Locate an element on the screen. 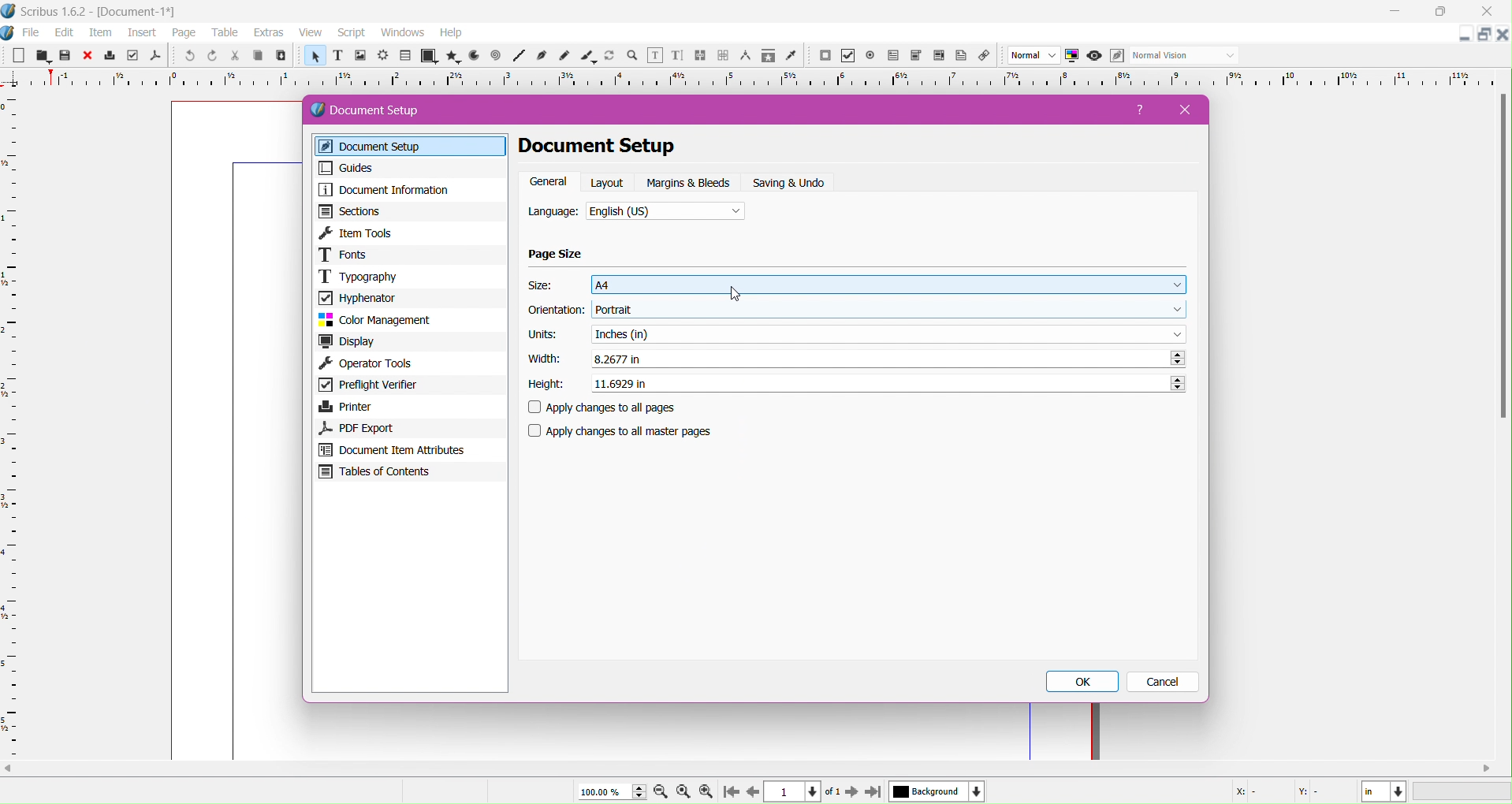  unlink text frames is located at coordinates (723, 56).